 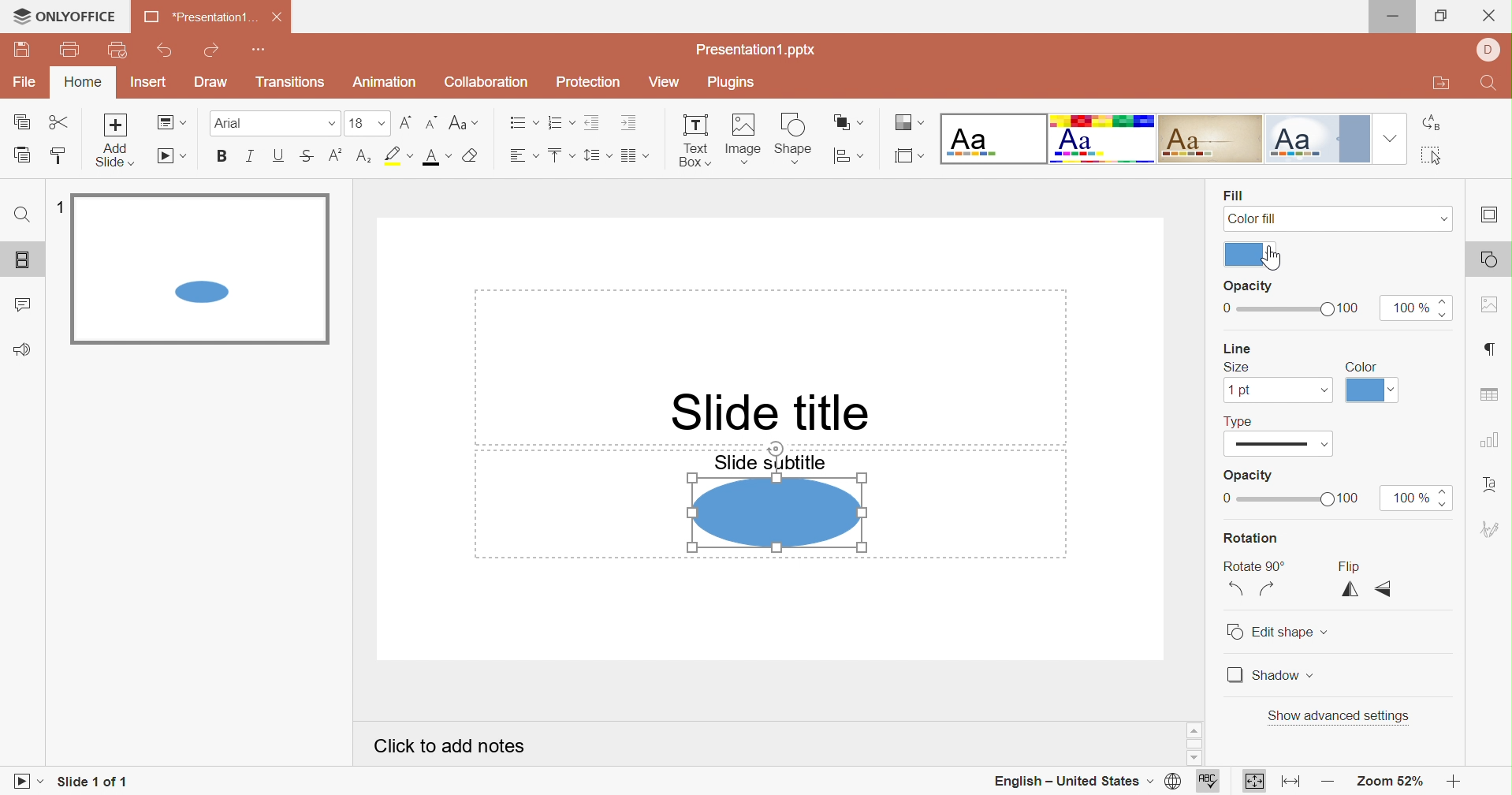 What do you see at coordinates (1254, 565) in the screenshot?
I see `Rotate 90°` at bounding box center [1254, 565].